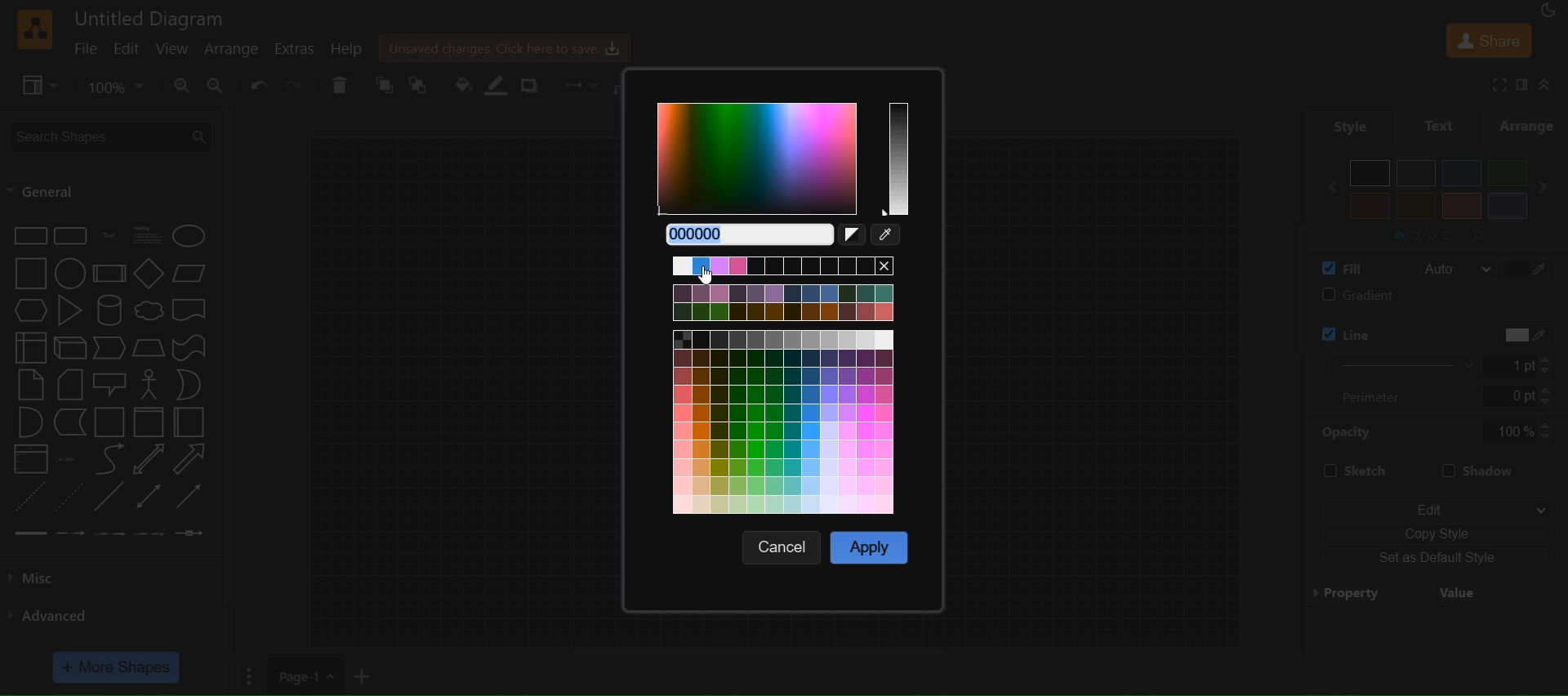 The image size is (1568, 696). Describe the element at coordinates (189, 422) in the screenshot. I see `horizontal container` at that location.